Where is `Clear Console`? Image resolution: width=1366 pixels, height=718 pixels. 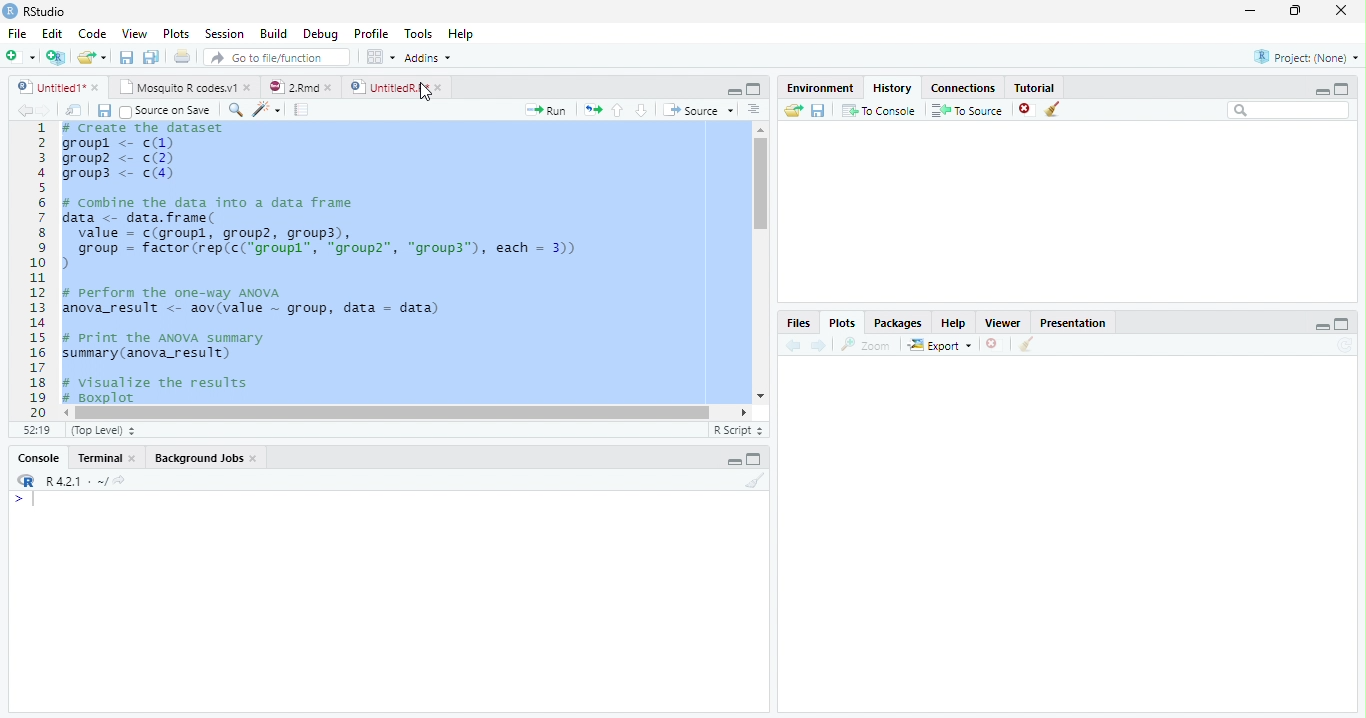
Clear Console is located at coordinates (1024, 345).